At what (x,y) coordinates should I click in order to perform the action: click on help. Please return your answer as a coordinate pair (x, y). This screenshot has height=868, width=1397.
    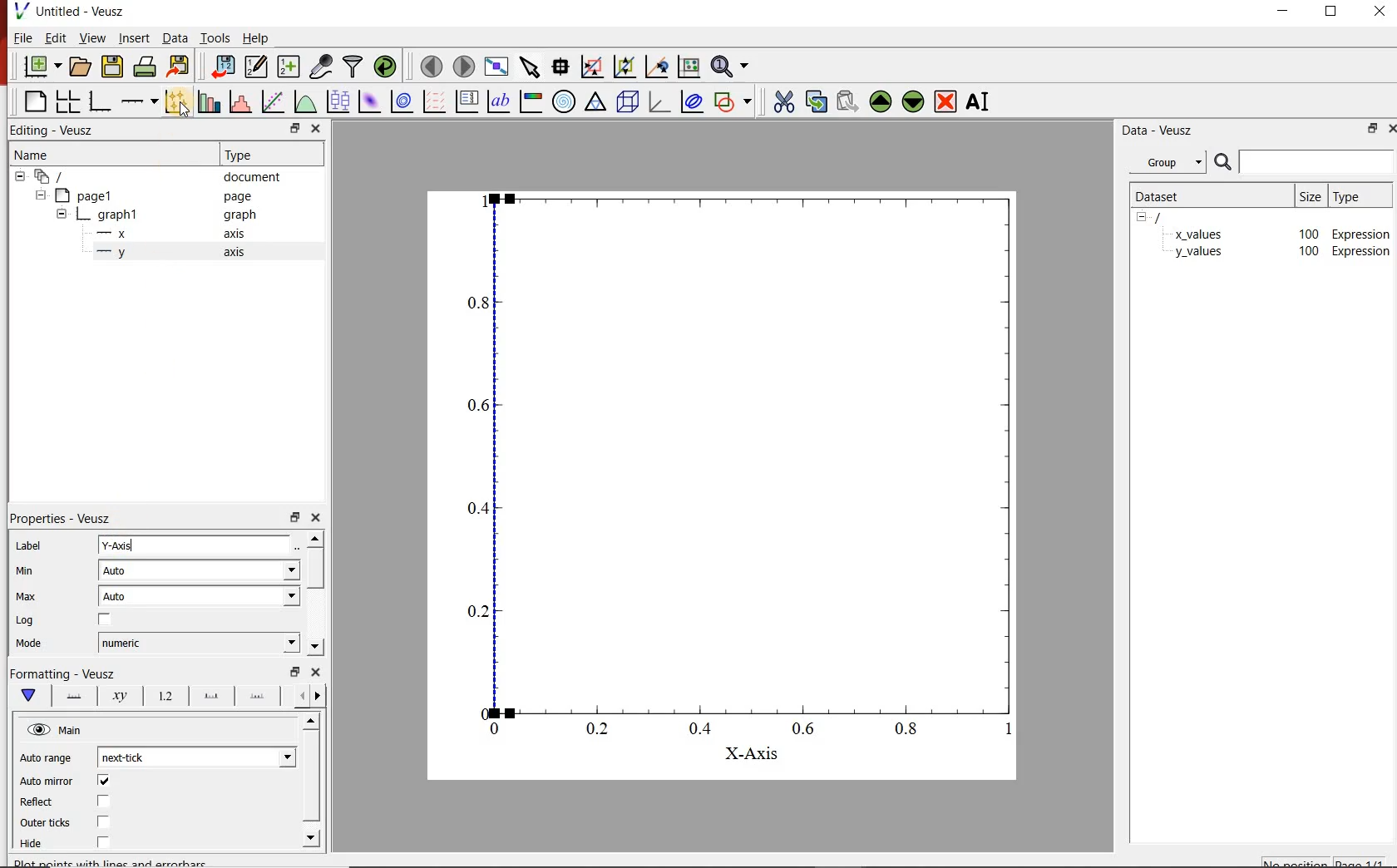
    Looking at the image, I should click on (260, 37).